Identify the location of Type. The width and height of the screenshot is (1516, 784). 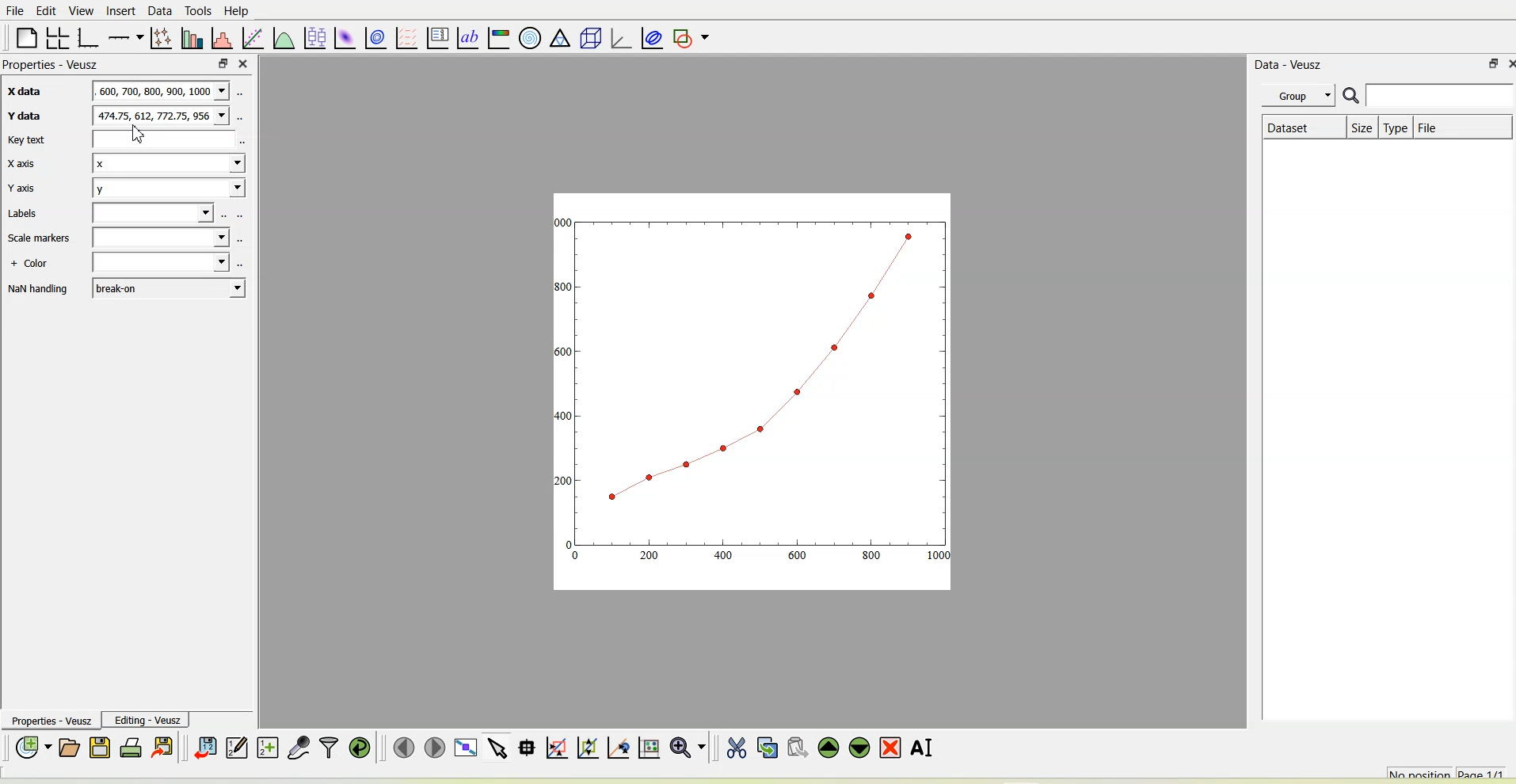
(1396, 127).